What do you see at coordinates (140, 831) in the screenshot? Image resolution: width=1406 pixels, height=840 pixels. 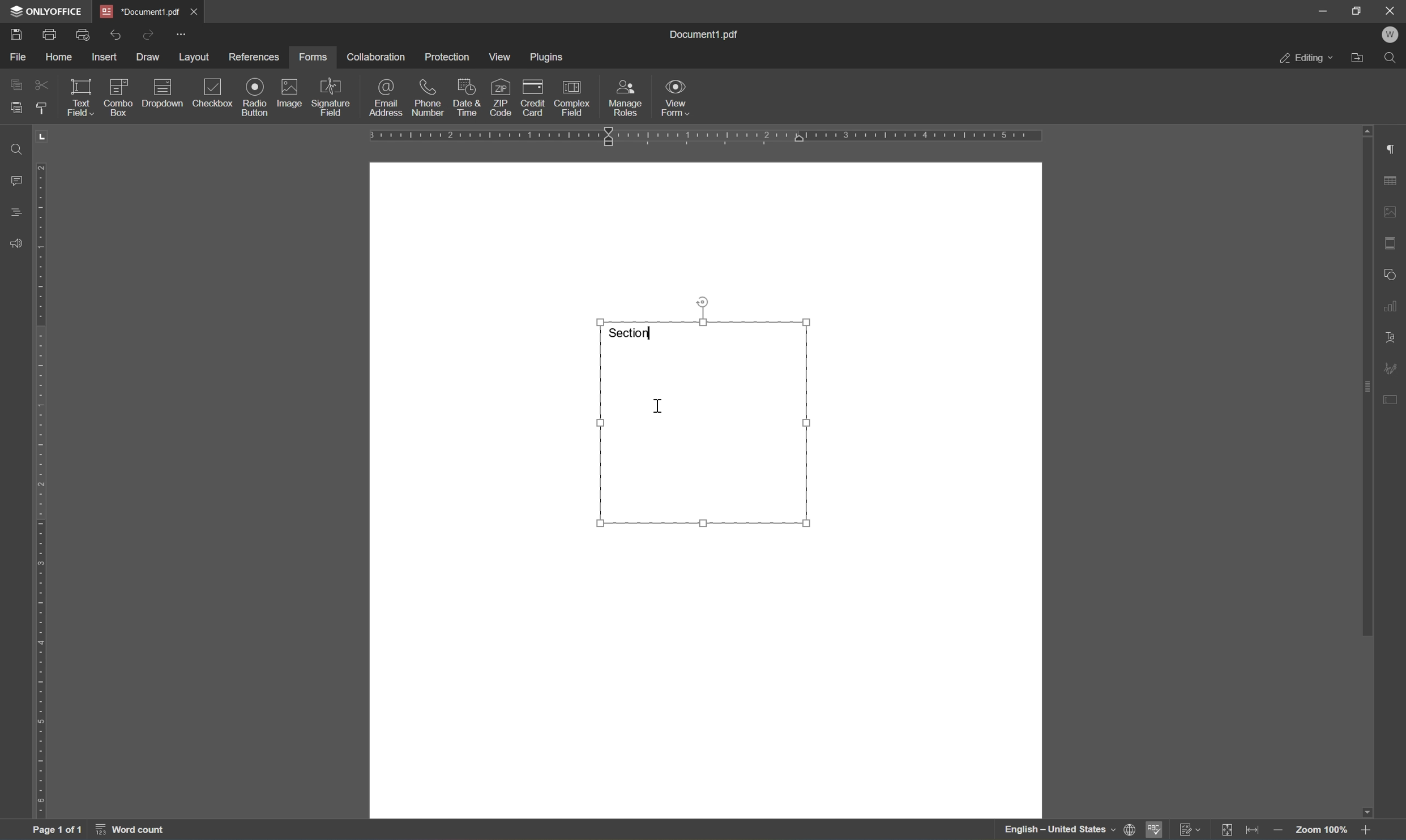 I see `word count` at bounding box center [140, 831].